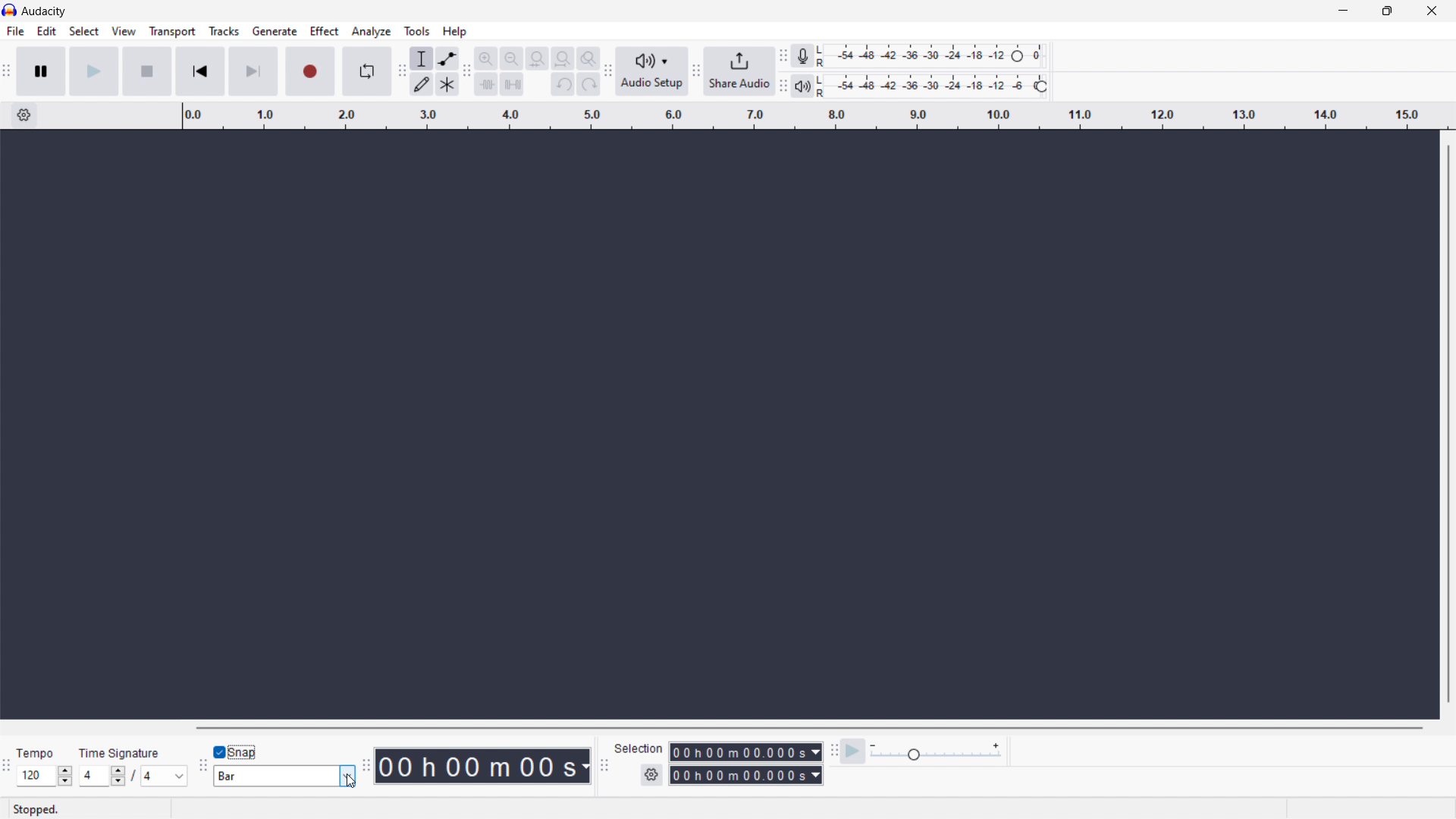 This screenshot has height=819, width=1456. What do you see at coordinates (48, 31) in the screenshot?
I see `edit` at bounding box center [48, 31].